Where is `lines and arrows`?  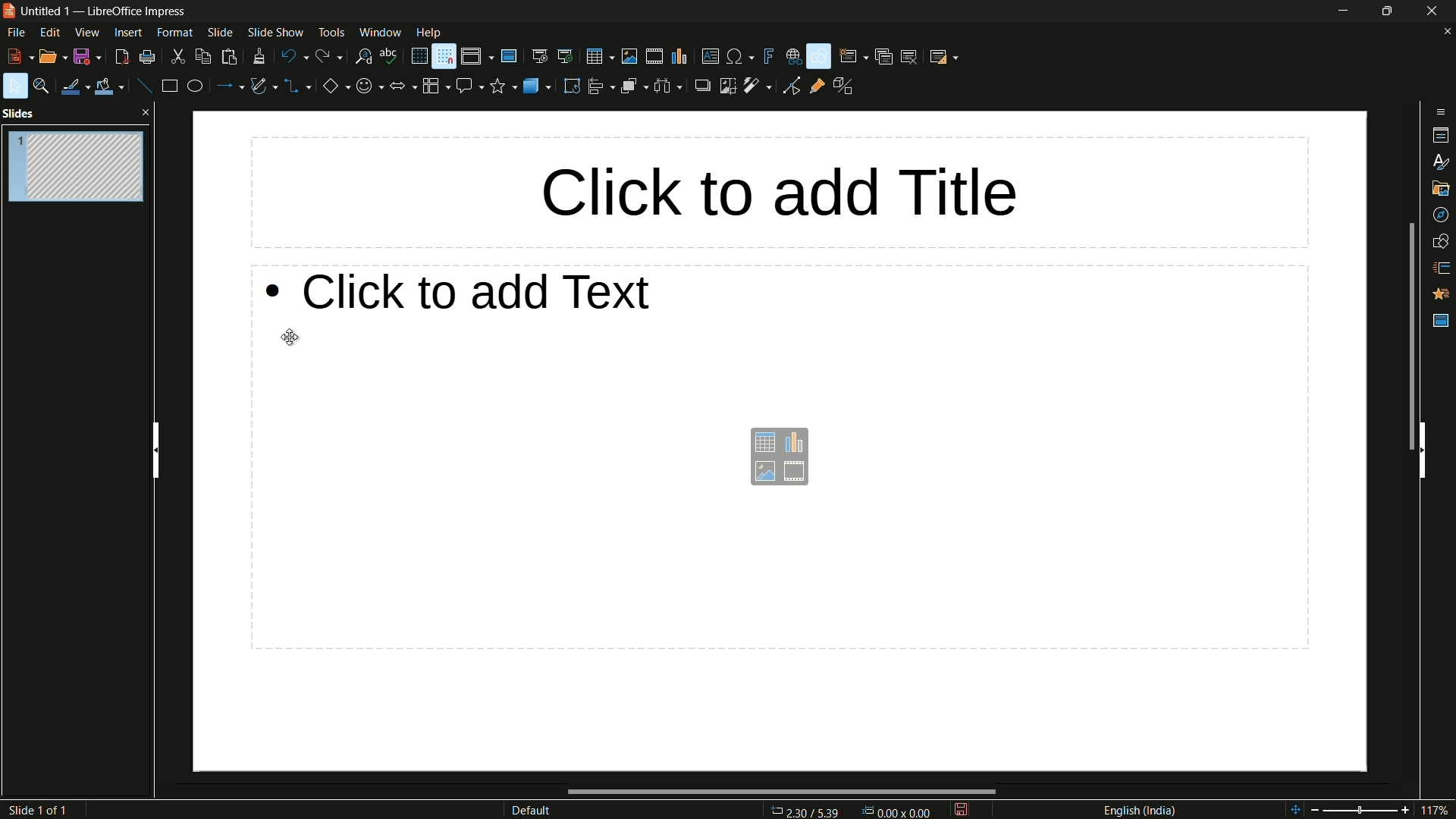
lines and arrows is located at coordinates (231, 87).